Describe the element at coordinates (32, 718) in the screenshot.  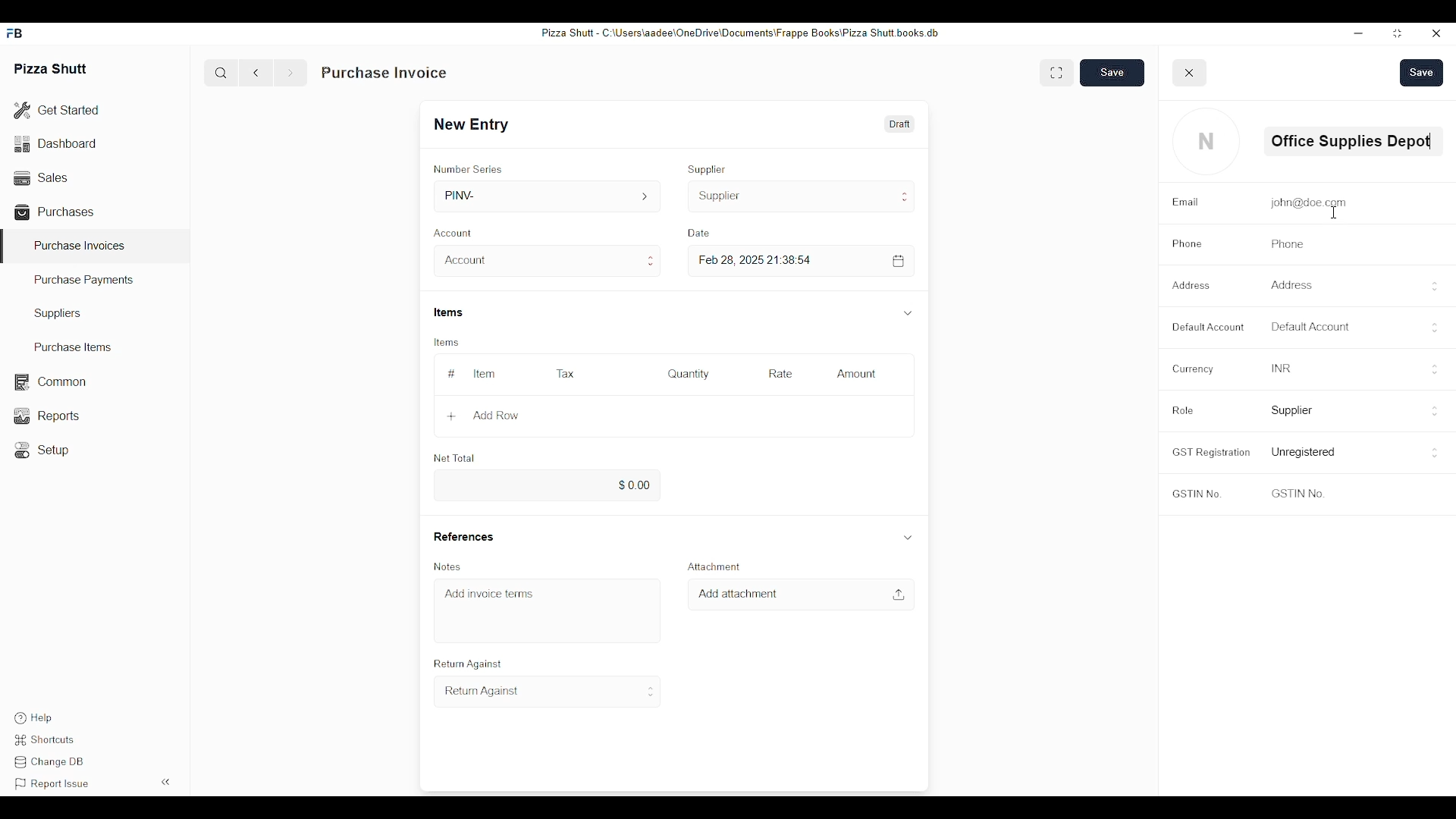
I see `Help` at that location.